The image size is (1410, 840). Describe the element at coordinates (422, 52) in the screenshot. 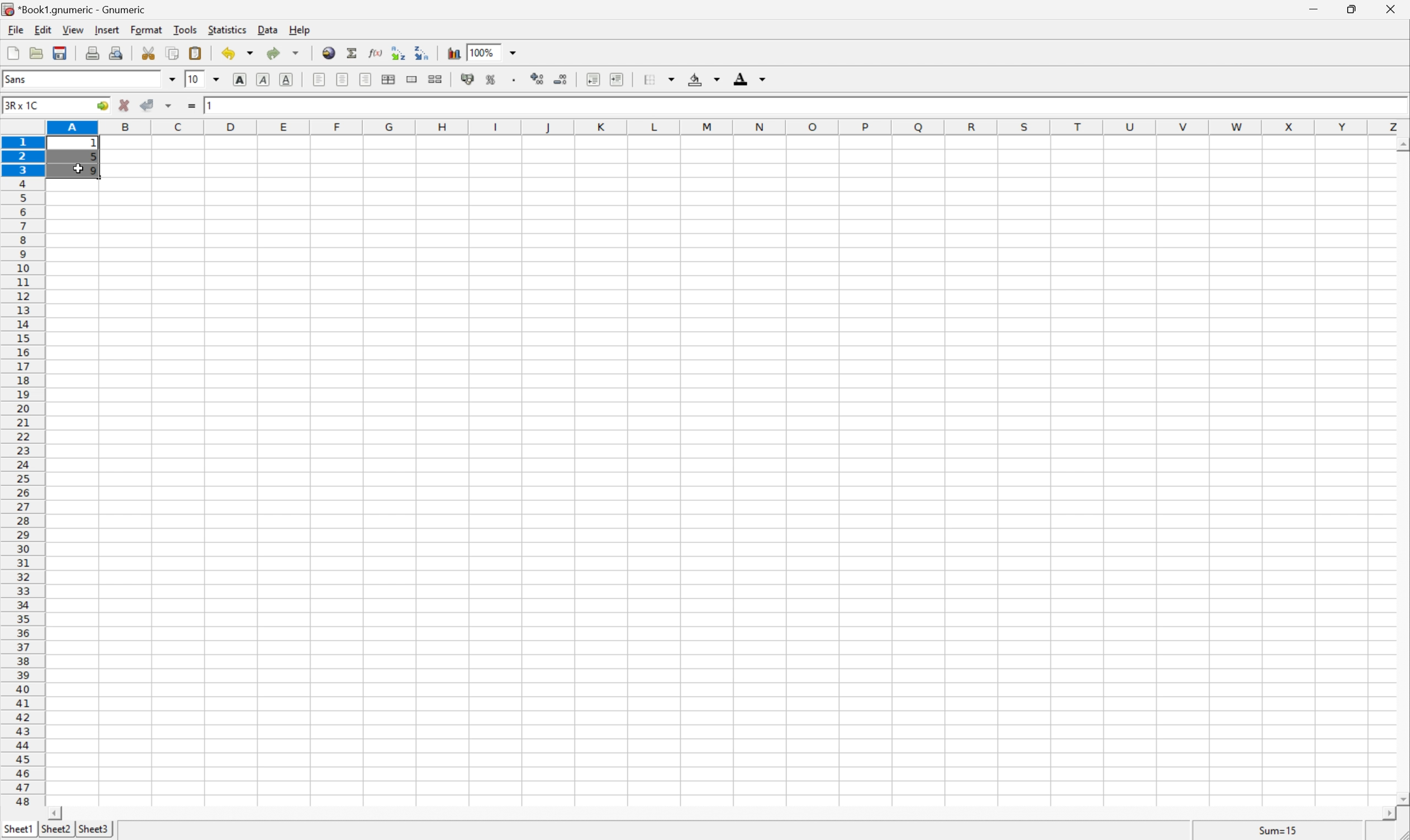

I see `Sort the selected region in descending order based on the first column selected` at that location.